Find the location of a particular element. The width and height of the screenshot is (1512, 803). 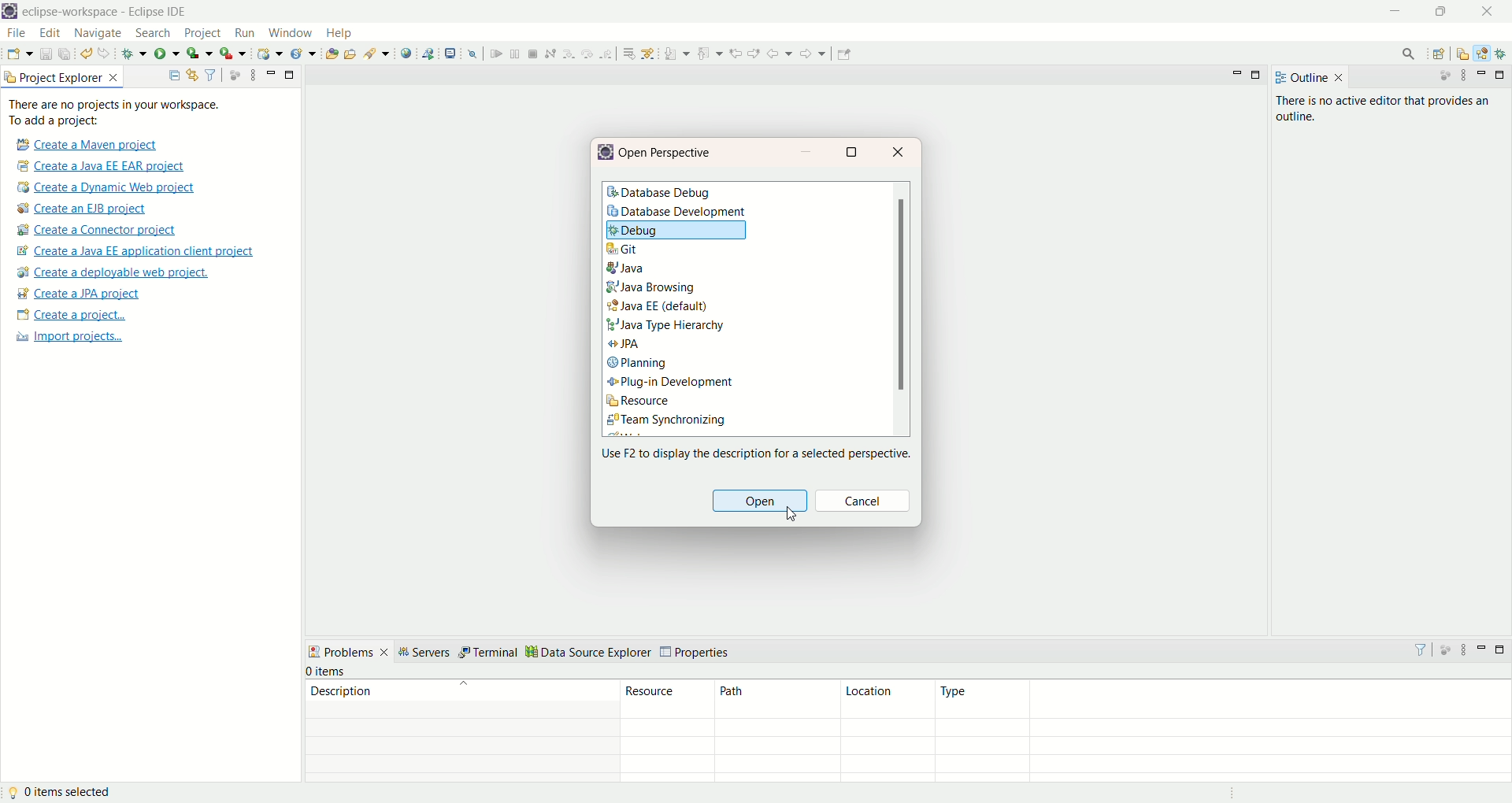

collapse all is located at coordinates (172, 75).